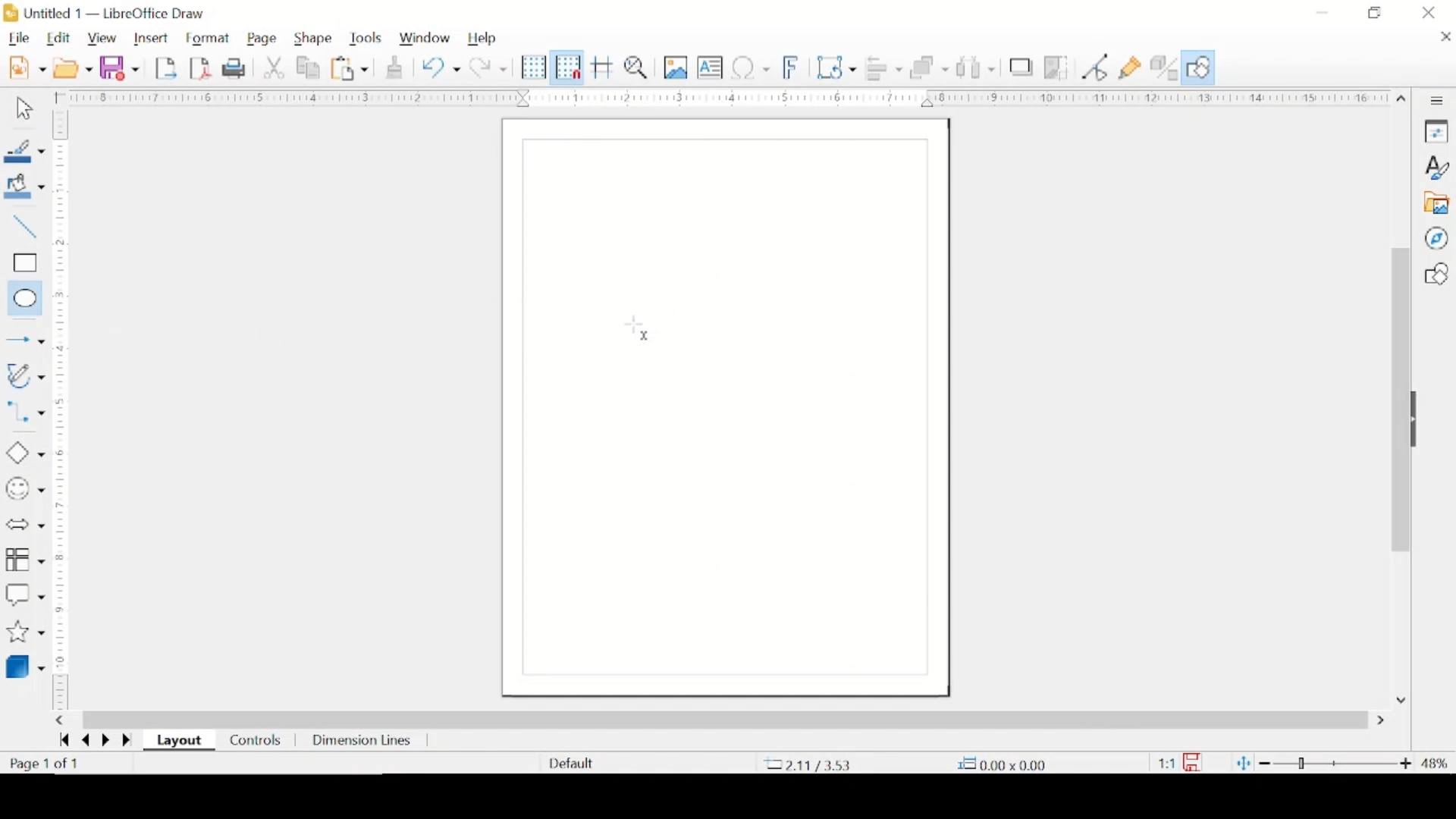 The height and width of the screenshot is (819, 1456). I want to click on insert special characters, so click(752, 67).